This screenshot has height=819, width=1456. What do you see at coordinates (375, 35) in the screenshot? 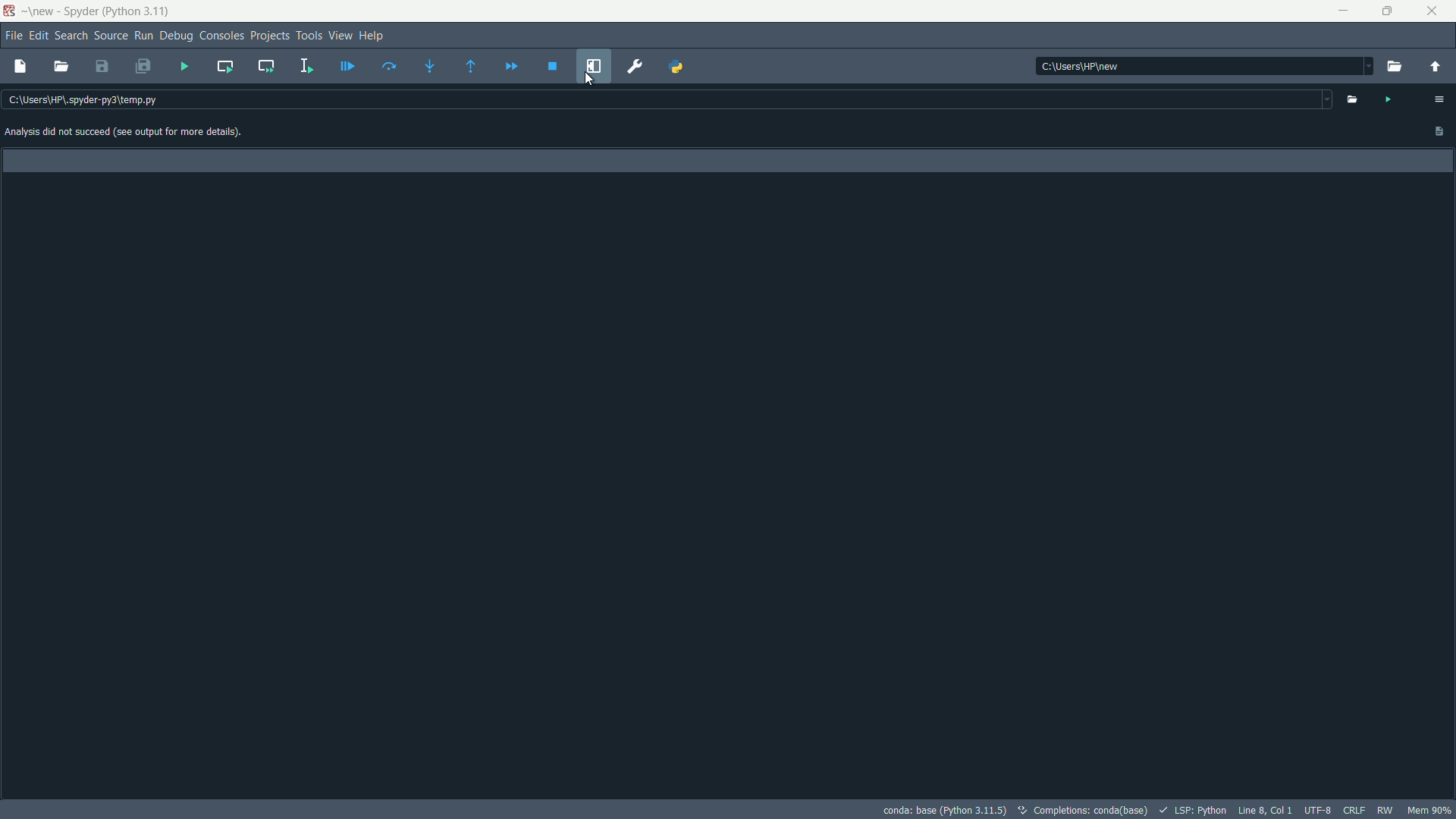
I see `help menu` at bounding box center [375, 35].